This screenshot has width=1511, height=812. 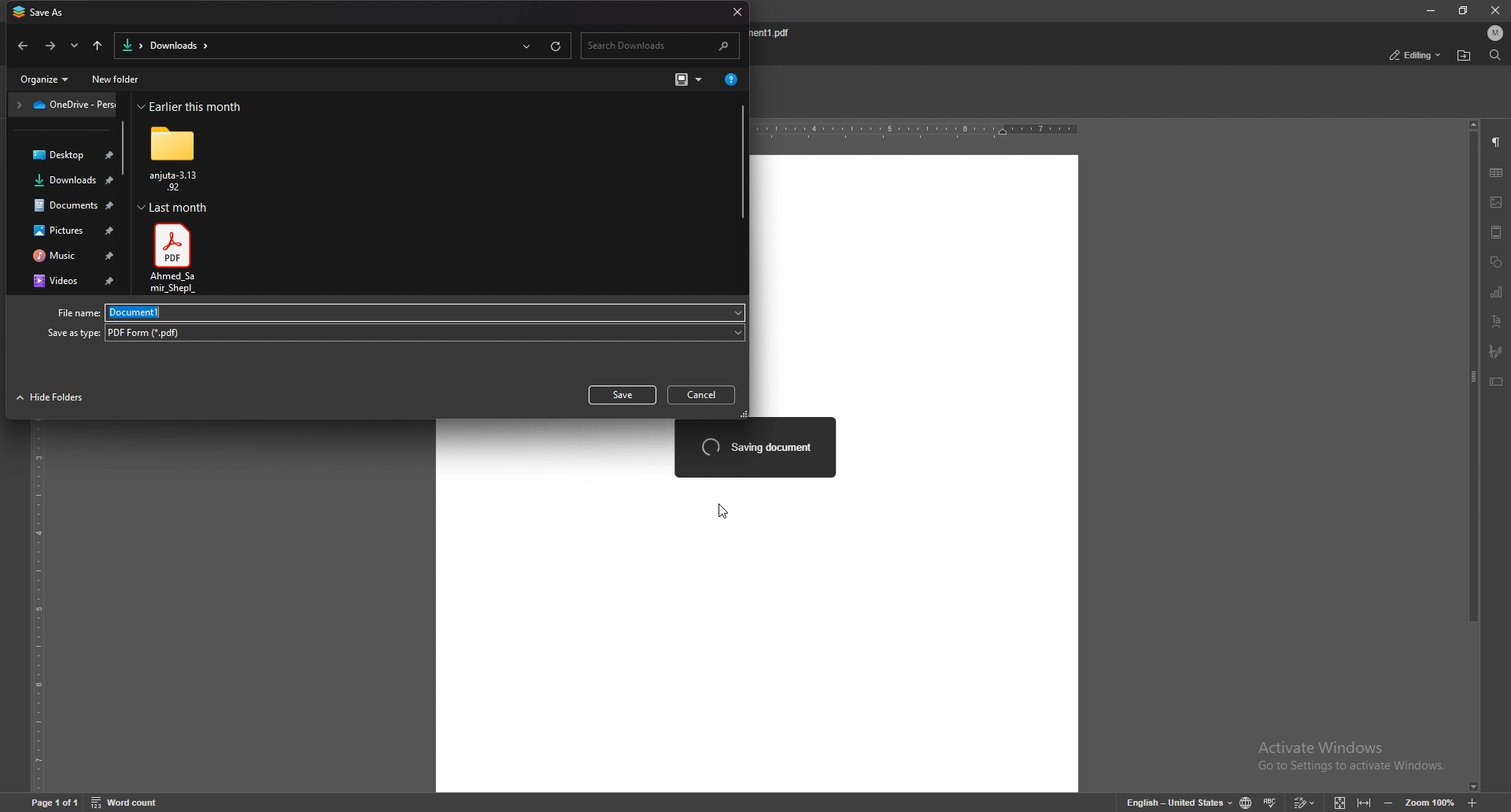 What do you see at coordinates (689, 79) in the screenshot?
I see `change view` at bounding box center [689, 79].